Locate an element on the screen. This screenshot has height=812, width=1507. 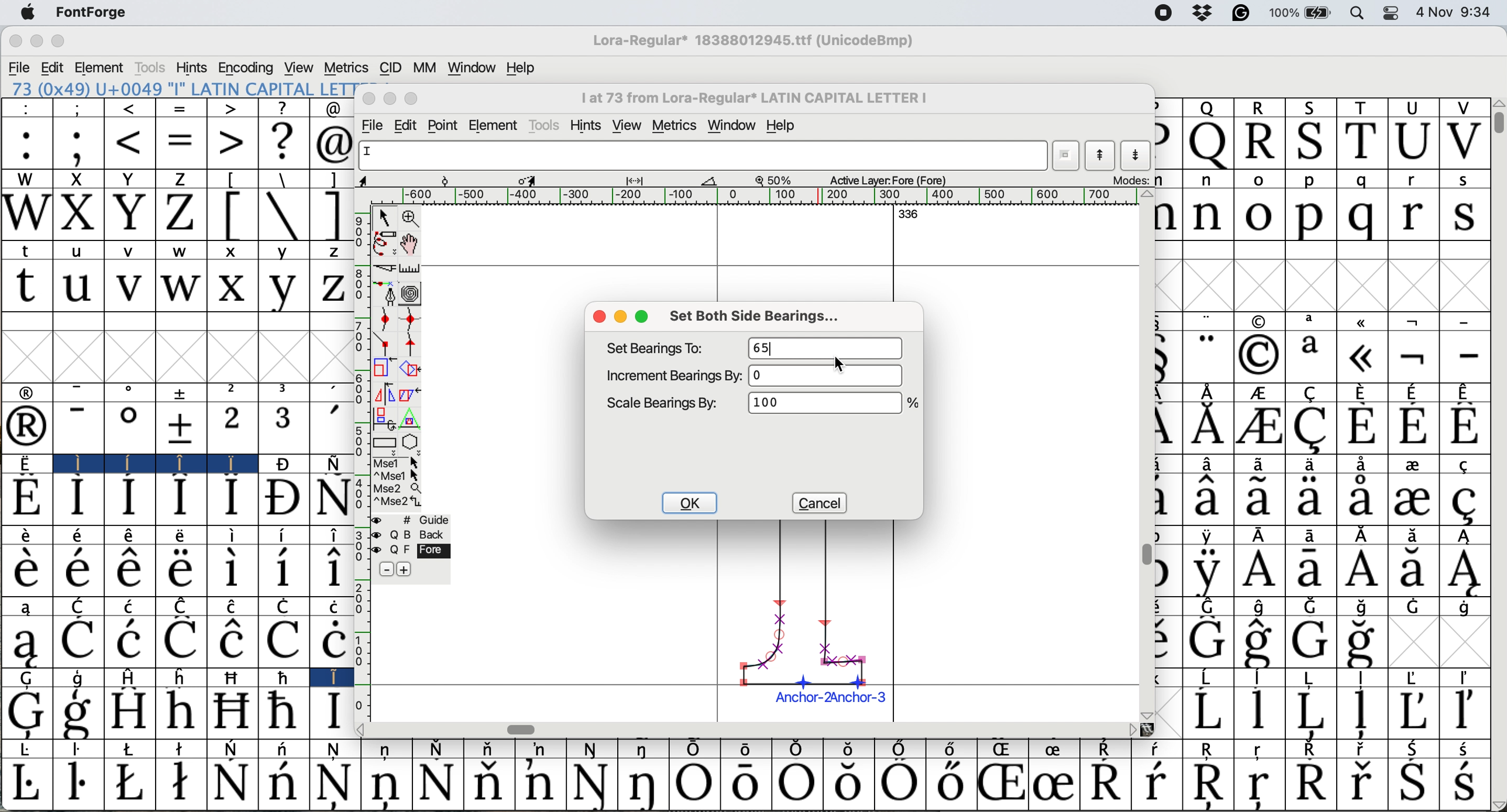
measure distance is located at coordinates (411, 267).